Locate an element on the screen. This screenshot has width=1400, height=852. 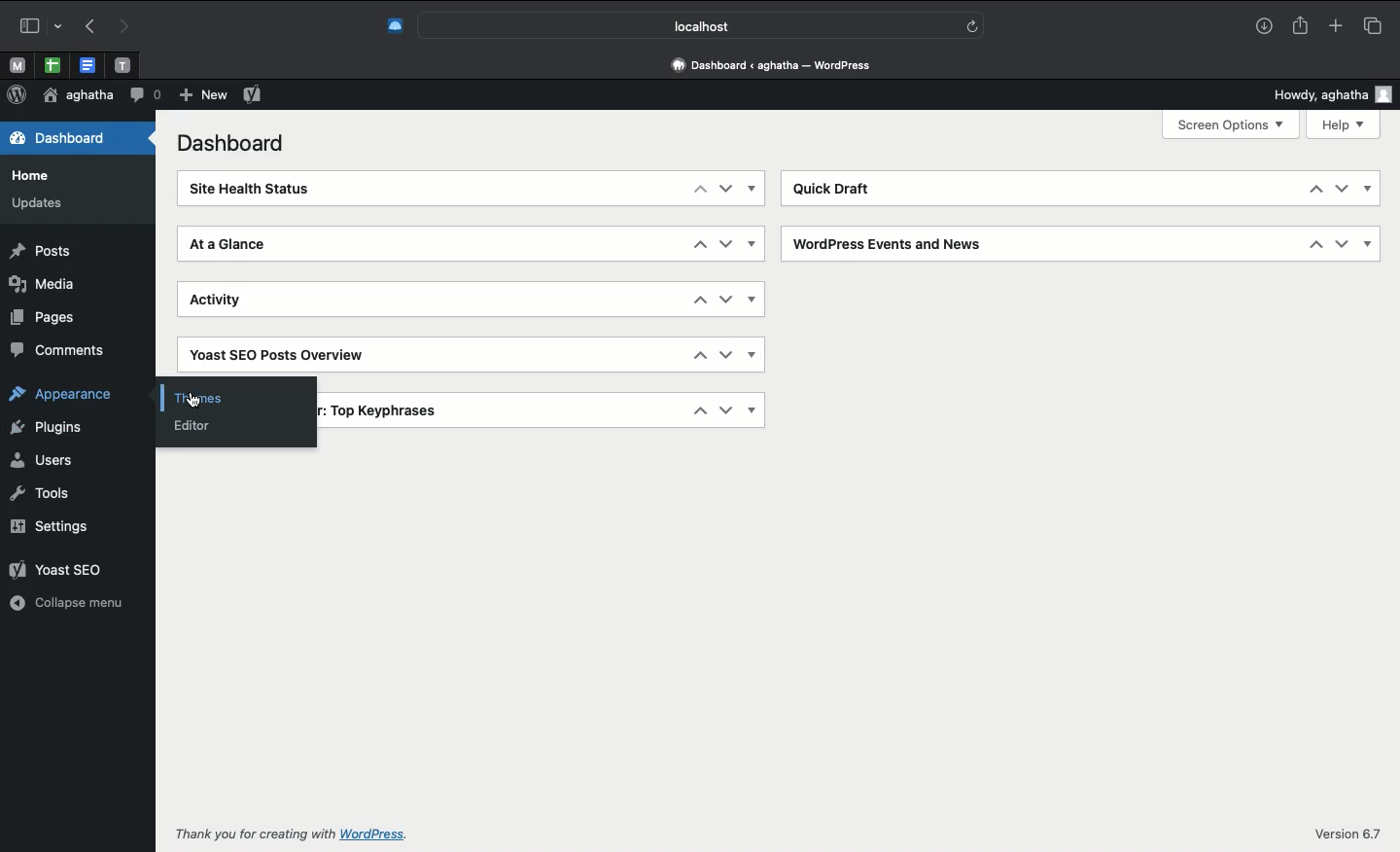
At a glance is located at coordinates (241, 247).